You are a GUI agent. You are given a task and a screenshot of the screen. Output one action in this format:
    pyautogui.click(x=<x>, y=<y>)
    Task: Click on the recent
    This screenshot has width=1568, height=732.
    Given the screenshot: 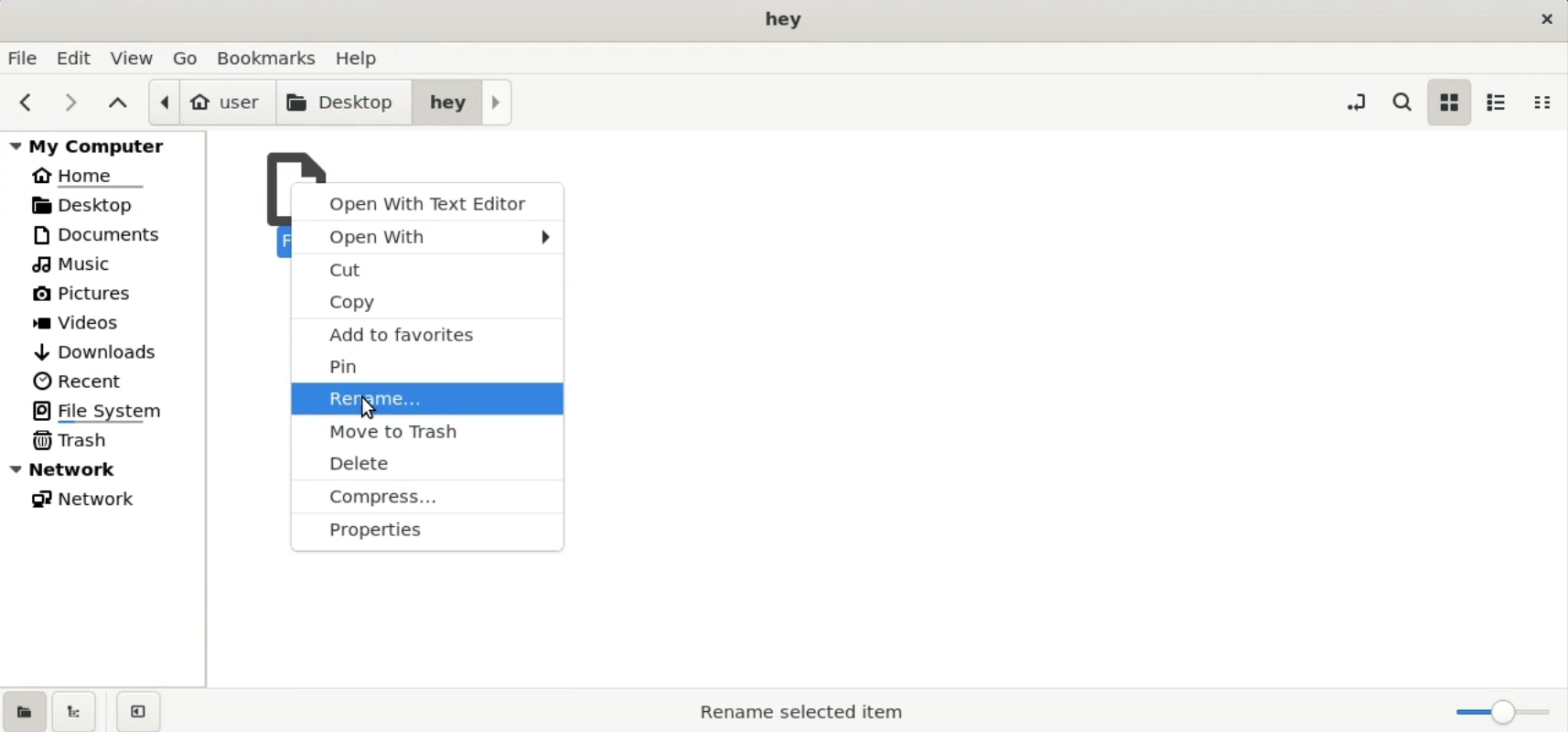 What is the action you would take?
    pyautogui.click(x=80, y=381)
    